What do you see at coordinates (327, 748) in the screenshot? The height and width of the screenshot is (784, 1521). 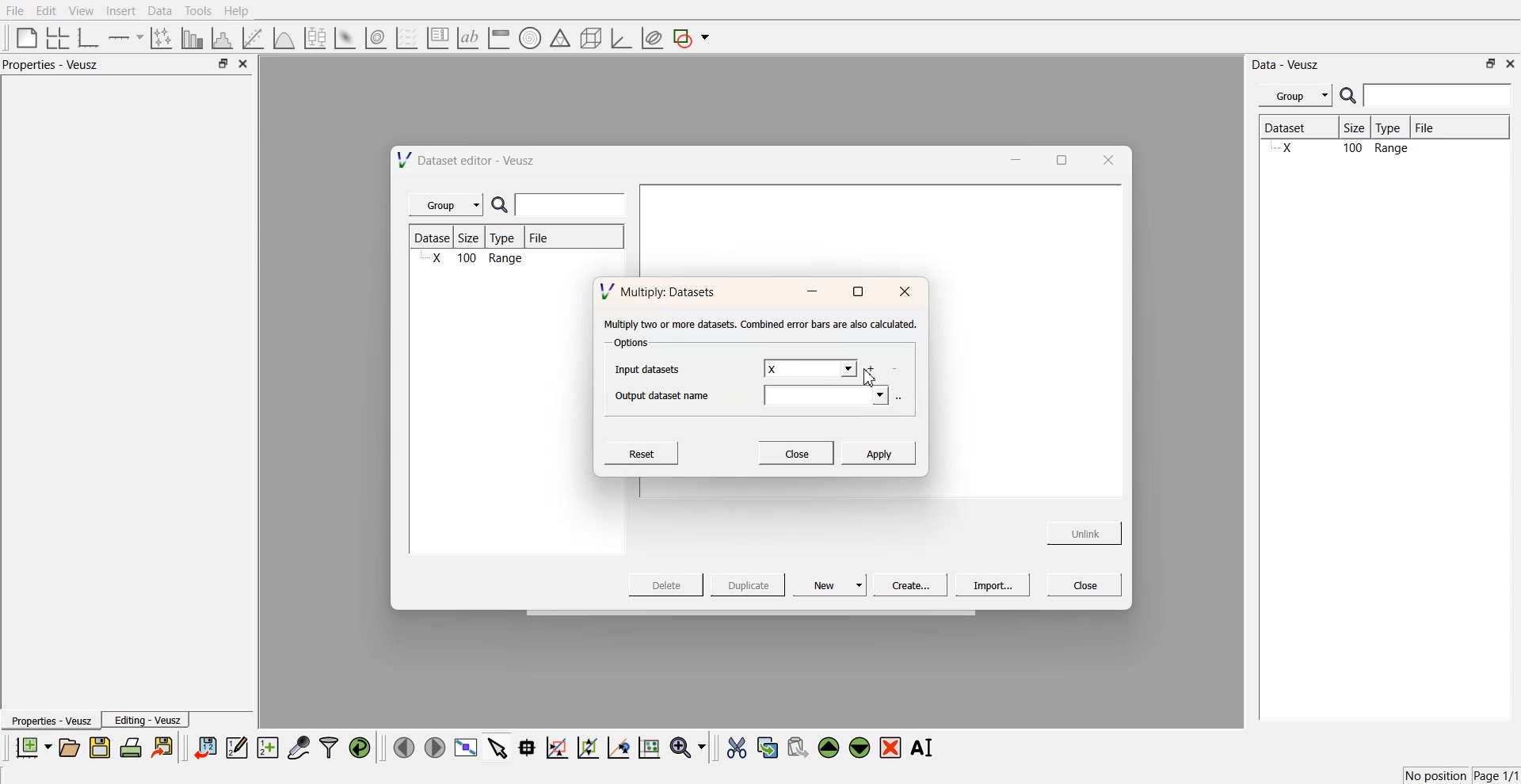 I see `filters` at bounding box center [327, 748].